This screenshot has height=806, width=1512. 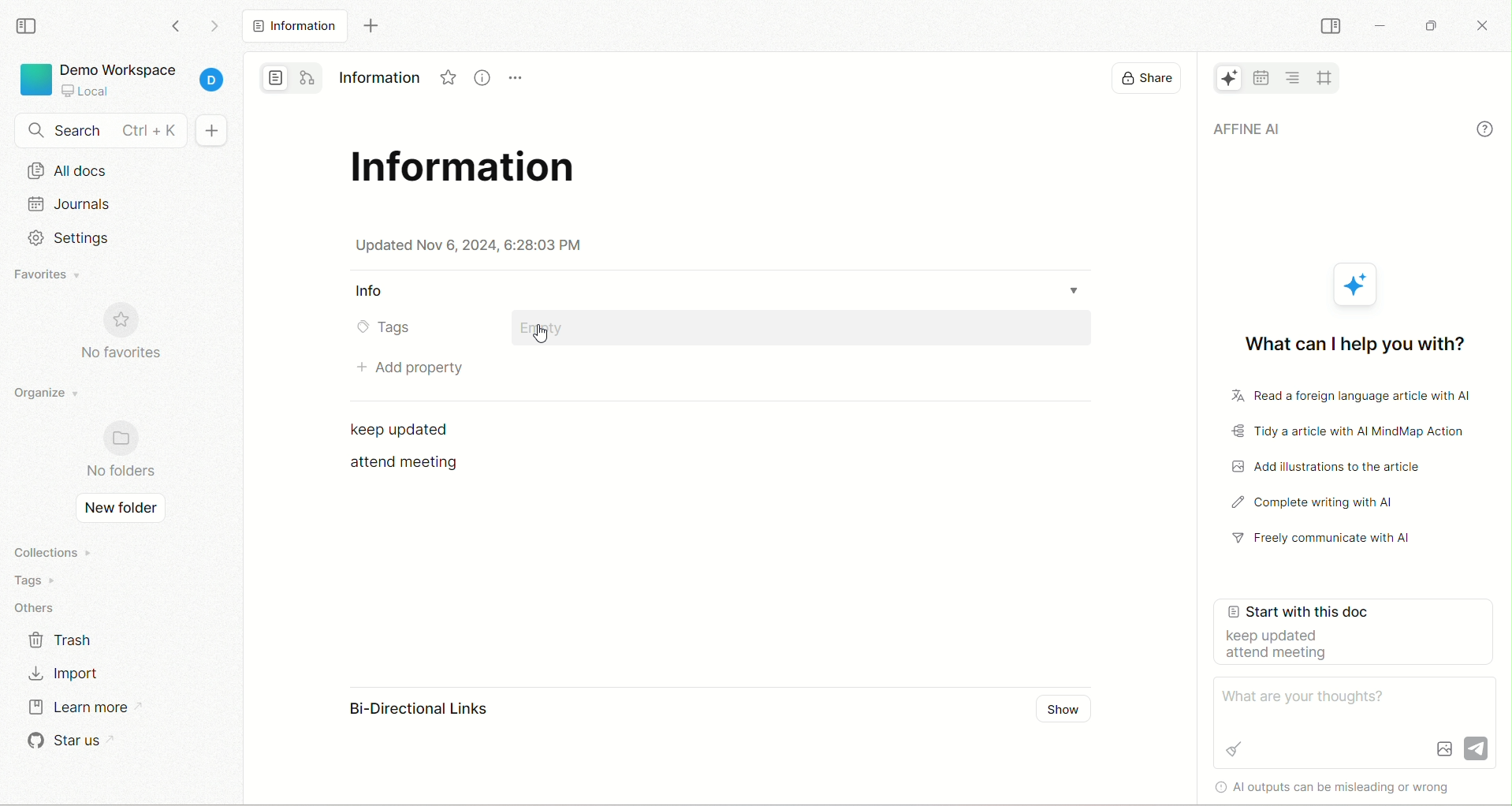 I want to click on Image, so click(x=1443, y=748).